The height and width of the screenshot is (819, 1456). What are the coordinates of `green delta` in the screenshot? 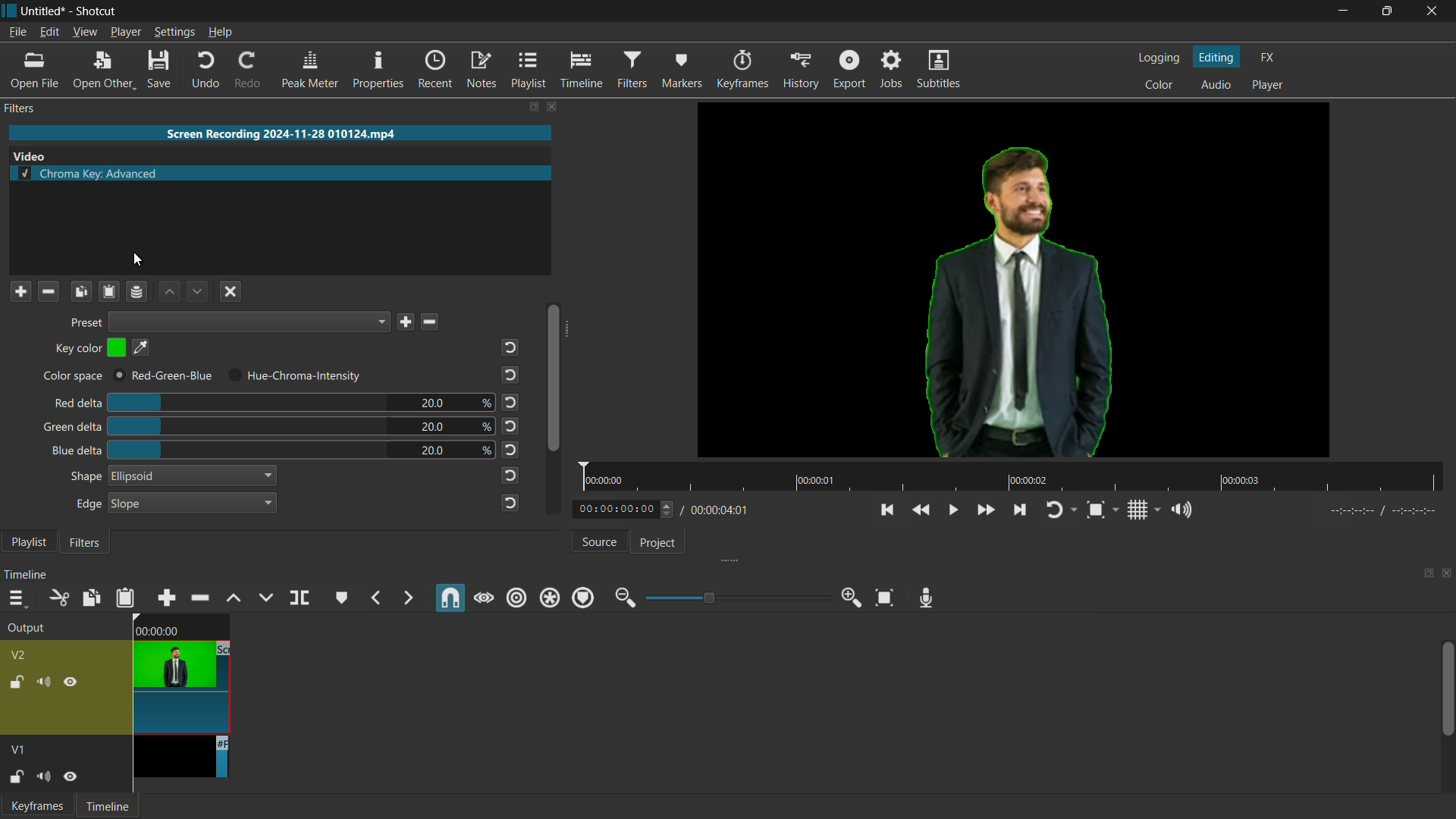 It's located at (71, 426).